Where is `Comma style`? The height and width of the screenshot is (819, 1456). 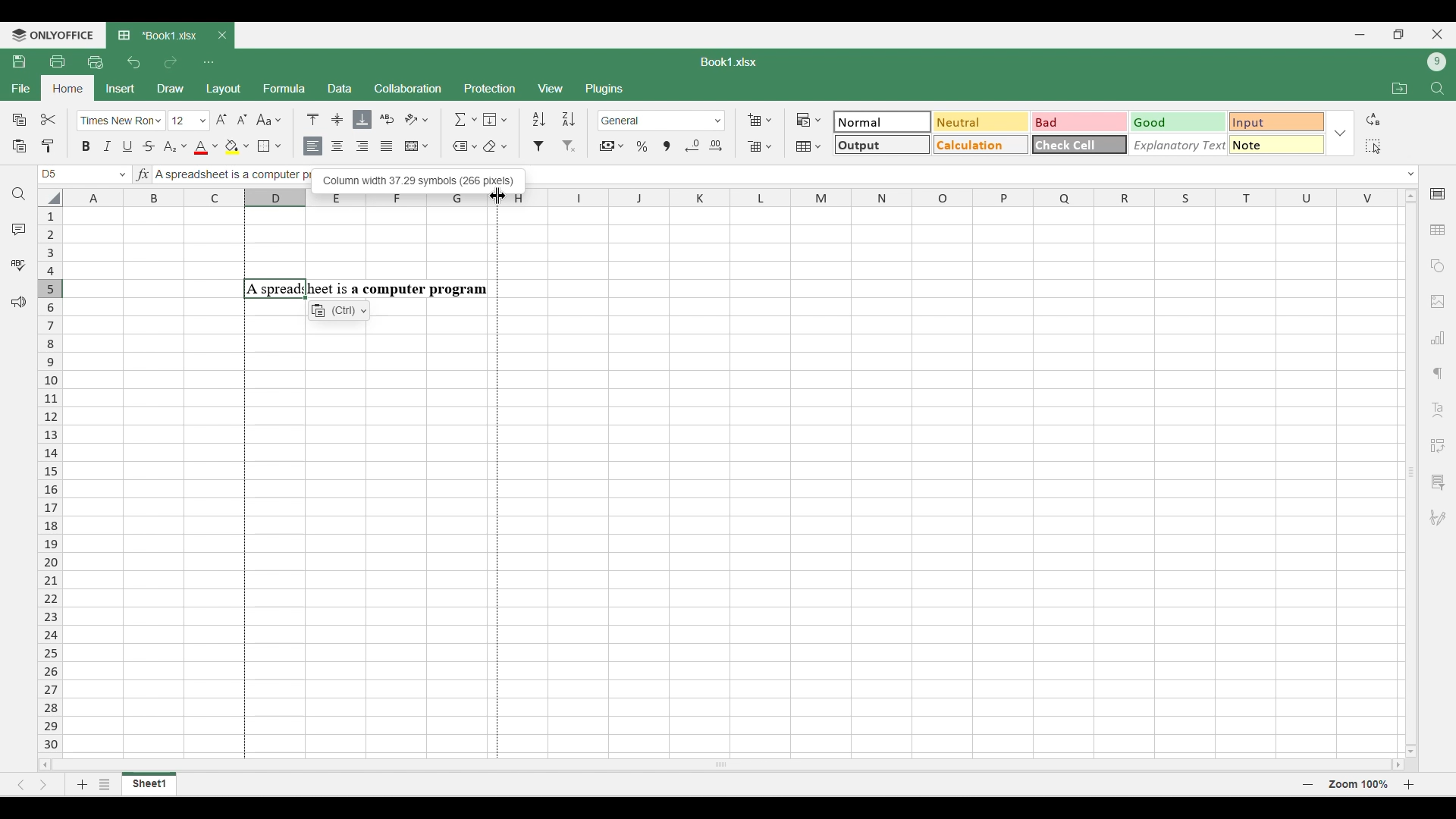 Comma style is located at coordinates (667, 146).